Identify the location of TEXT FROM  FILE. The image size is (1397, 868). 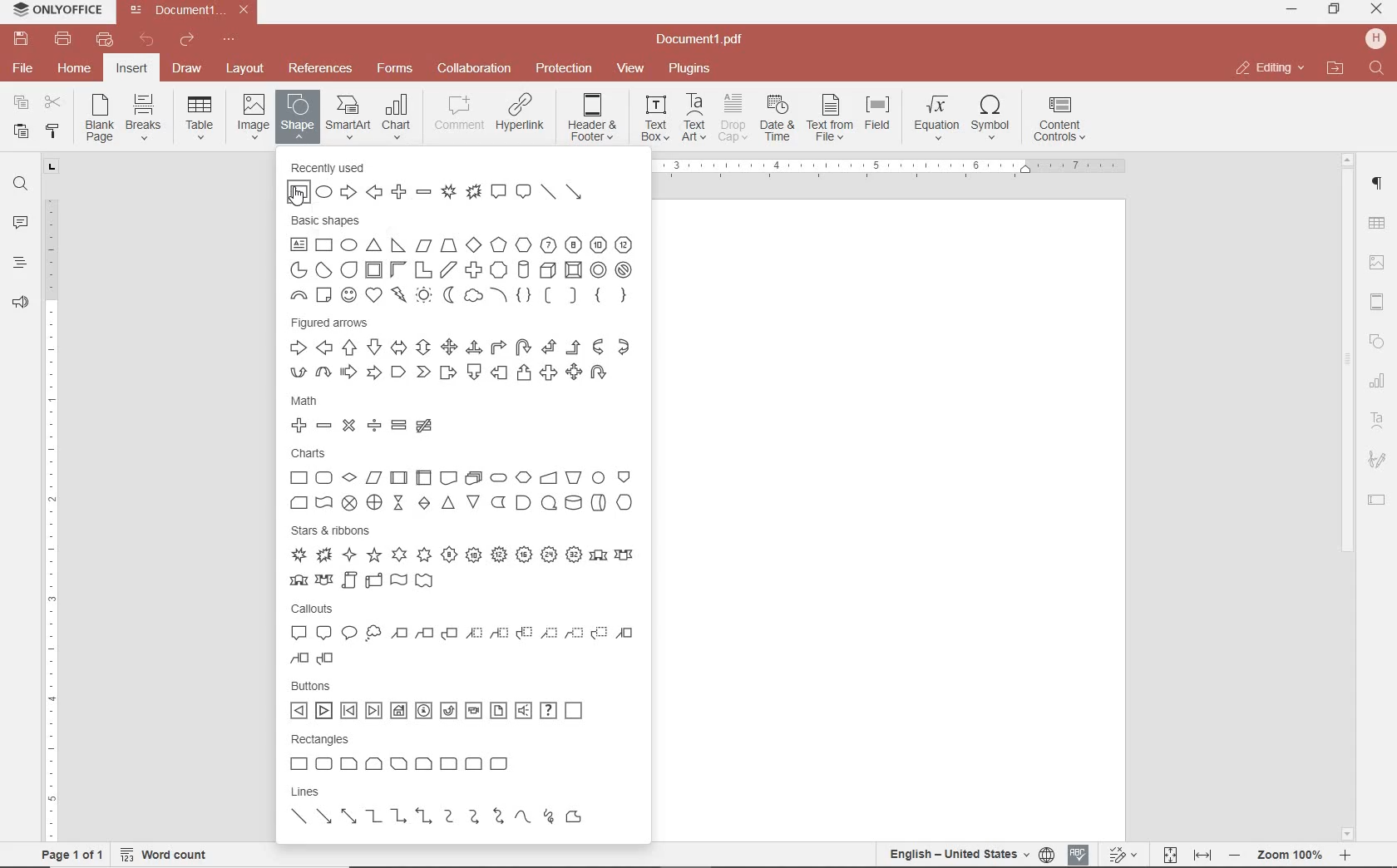
(830, 118).